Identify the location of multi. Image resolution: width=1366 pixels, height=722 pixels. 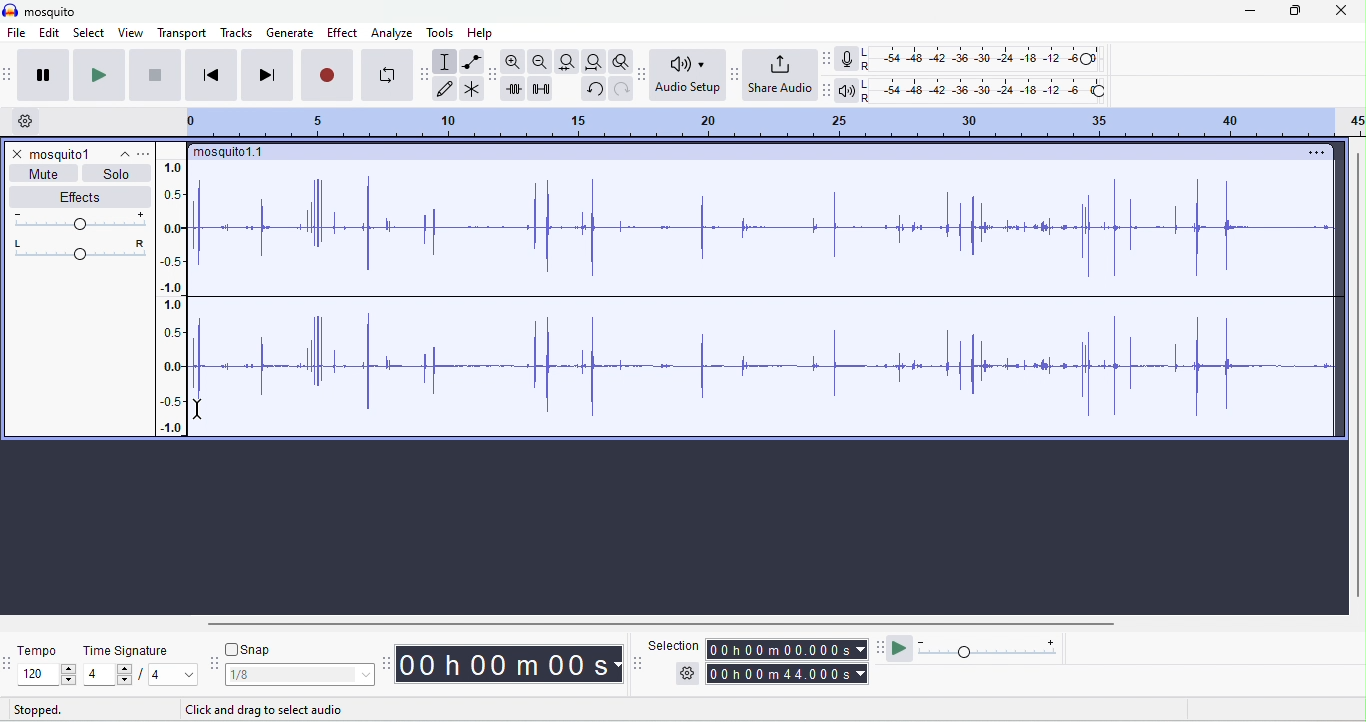
(472, 88).